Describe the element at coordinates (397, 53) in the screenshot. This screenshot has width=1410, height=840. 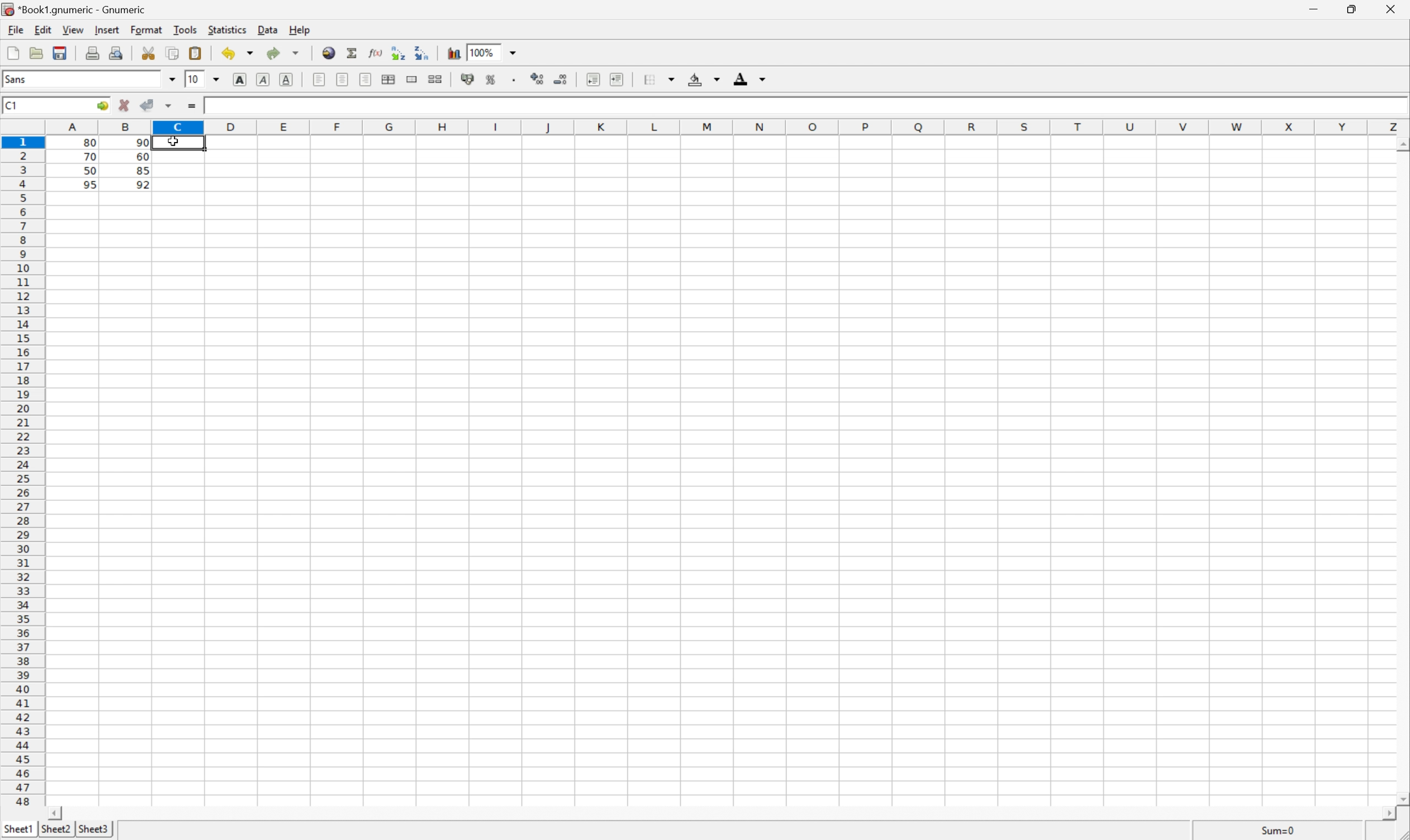
I see `Sort the selected region in ascending order based on the first column selected` at that location.